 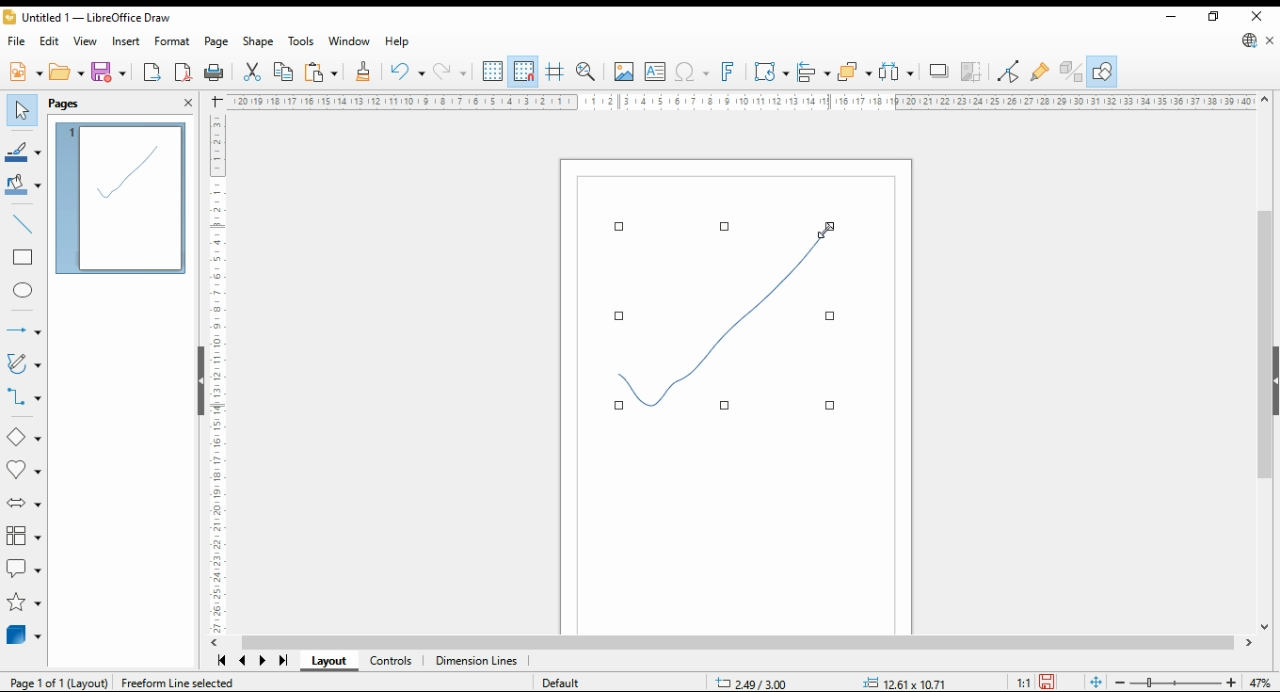 What do you see at coordinates (1103, 71) in the screenshot?
I see `show draw functions` at bounding box center [1103, 71].